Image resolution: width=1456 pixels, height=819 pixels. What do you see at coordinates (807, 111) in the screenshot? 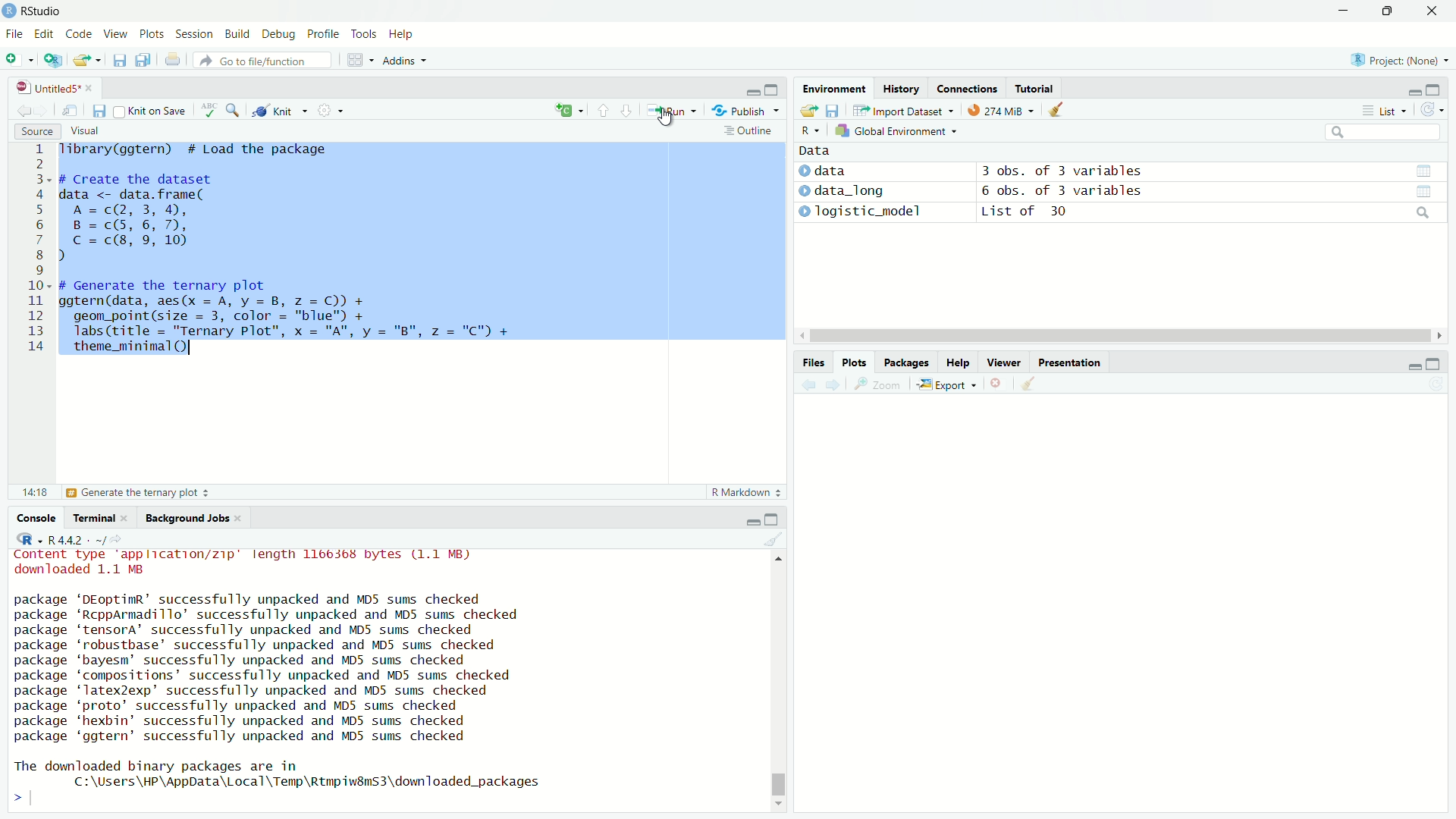
I see `export` at bounding box center [807, 111].